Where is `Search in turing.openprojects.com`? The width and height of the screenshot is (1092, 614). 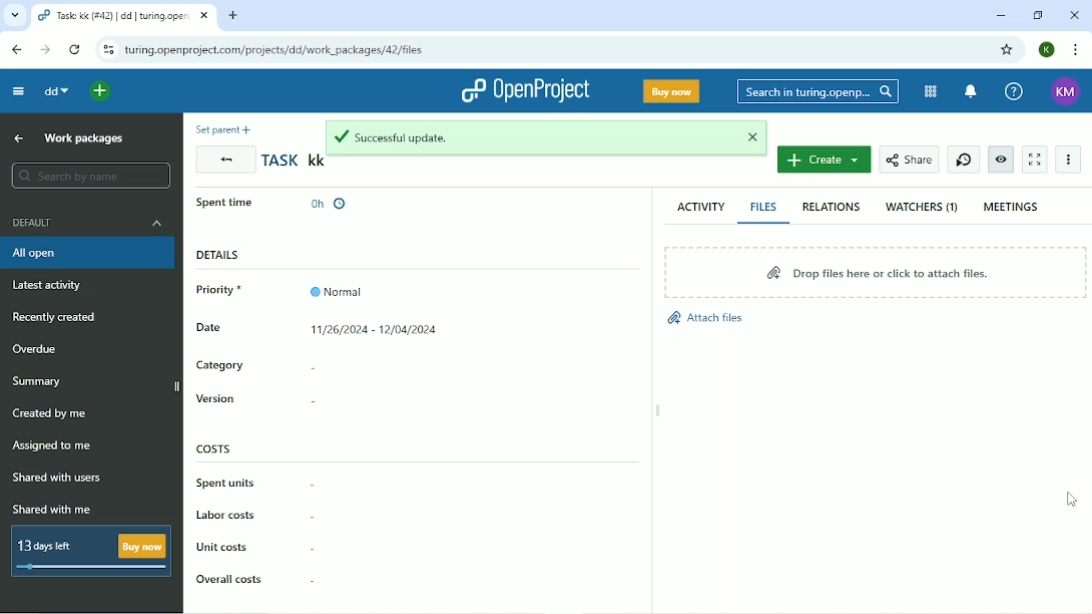
Search in turing.openprojects.com is located at coordinates (816, 93).